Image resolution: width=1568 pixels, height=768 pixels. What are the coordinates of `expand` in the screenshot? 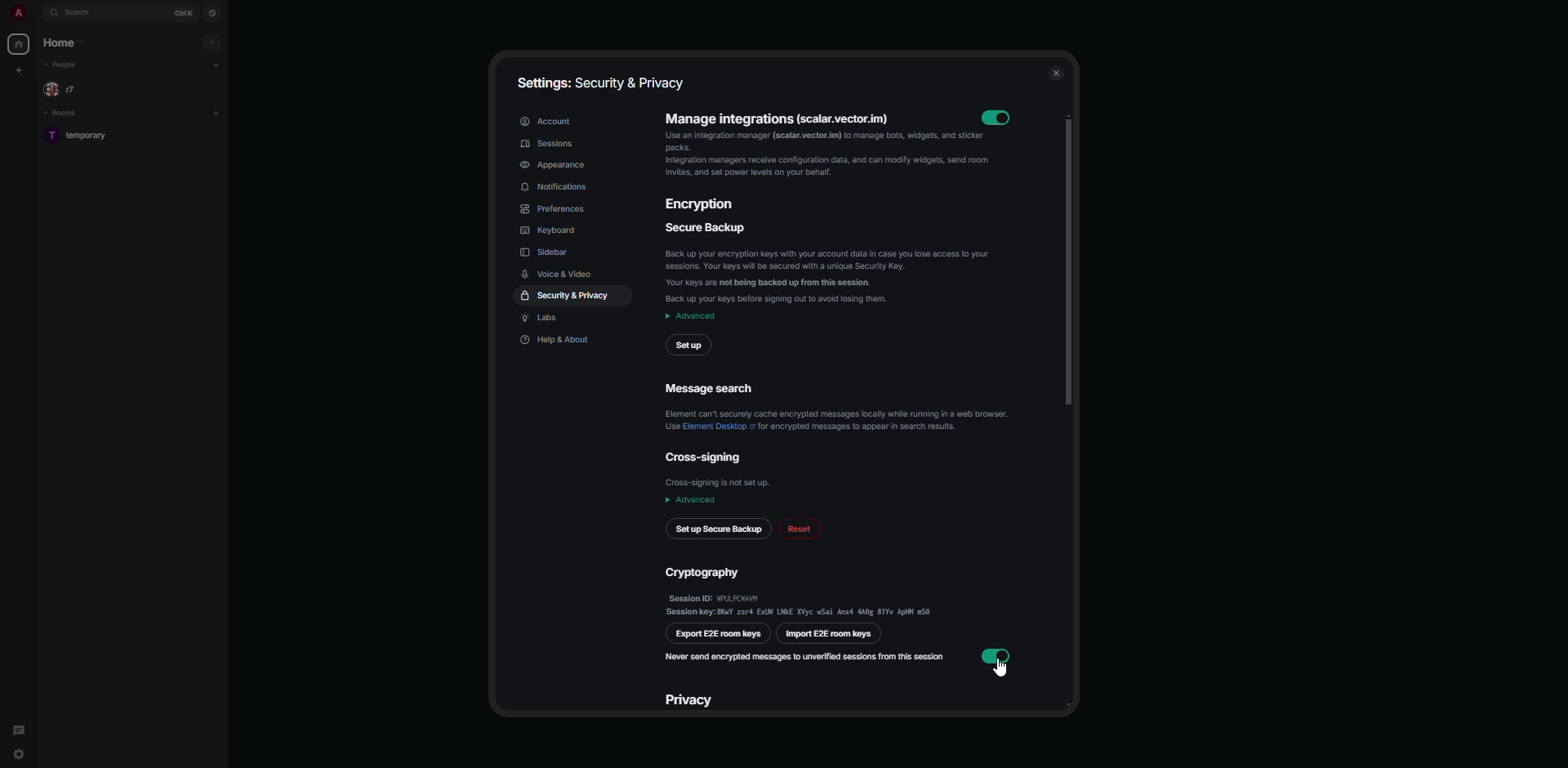 It's located at (37, 12).